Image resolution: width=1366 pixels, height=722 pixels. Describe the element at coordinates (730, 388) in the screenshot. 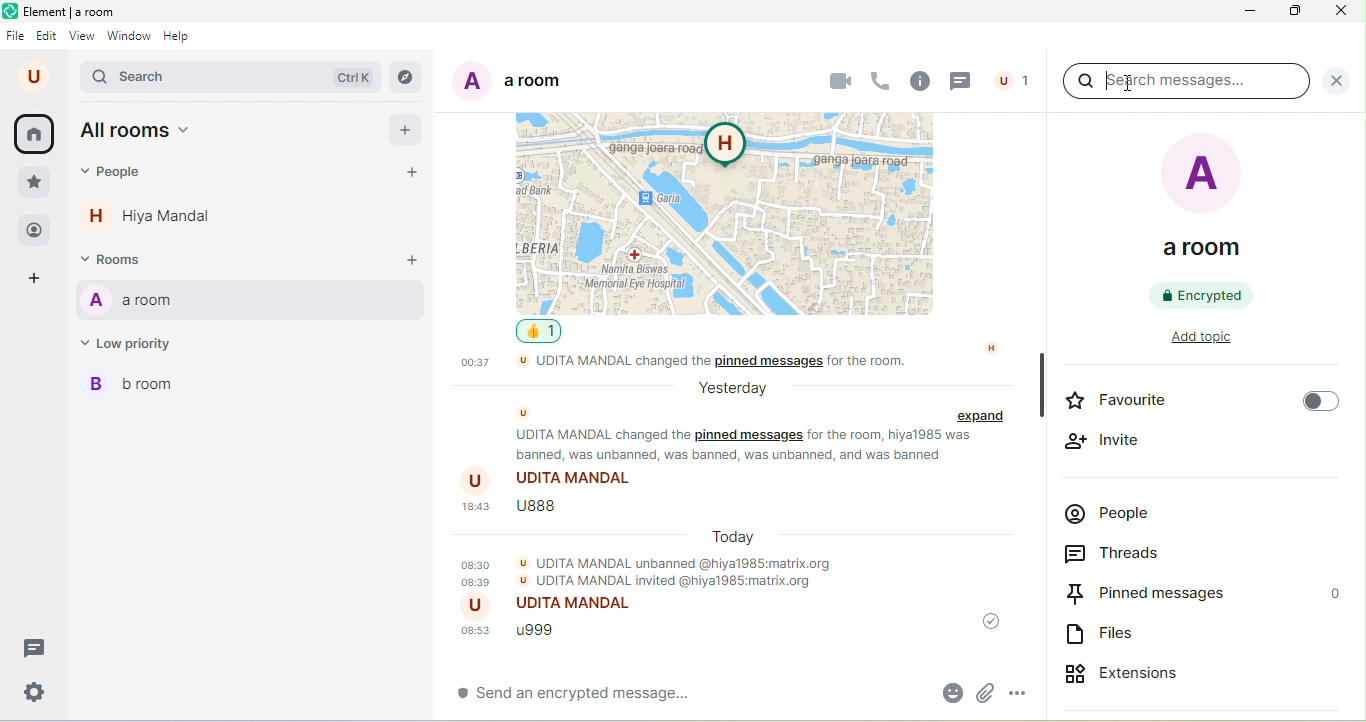

I see `yesterday` at that location.